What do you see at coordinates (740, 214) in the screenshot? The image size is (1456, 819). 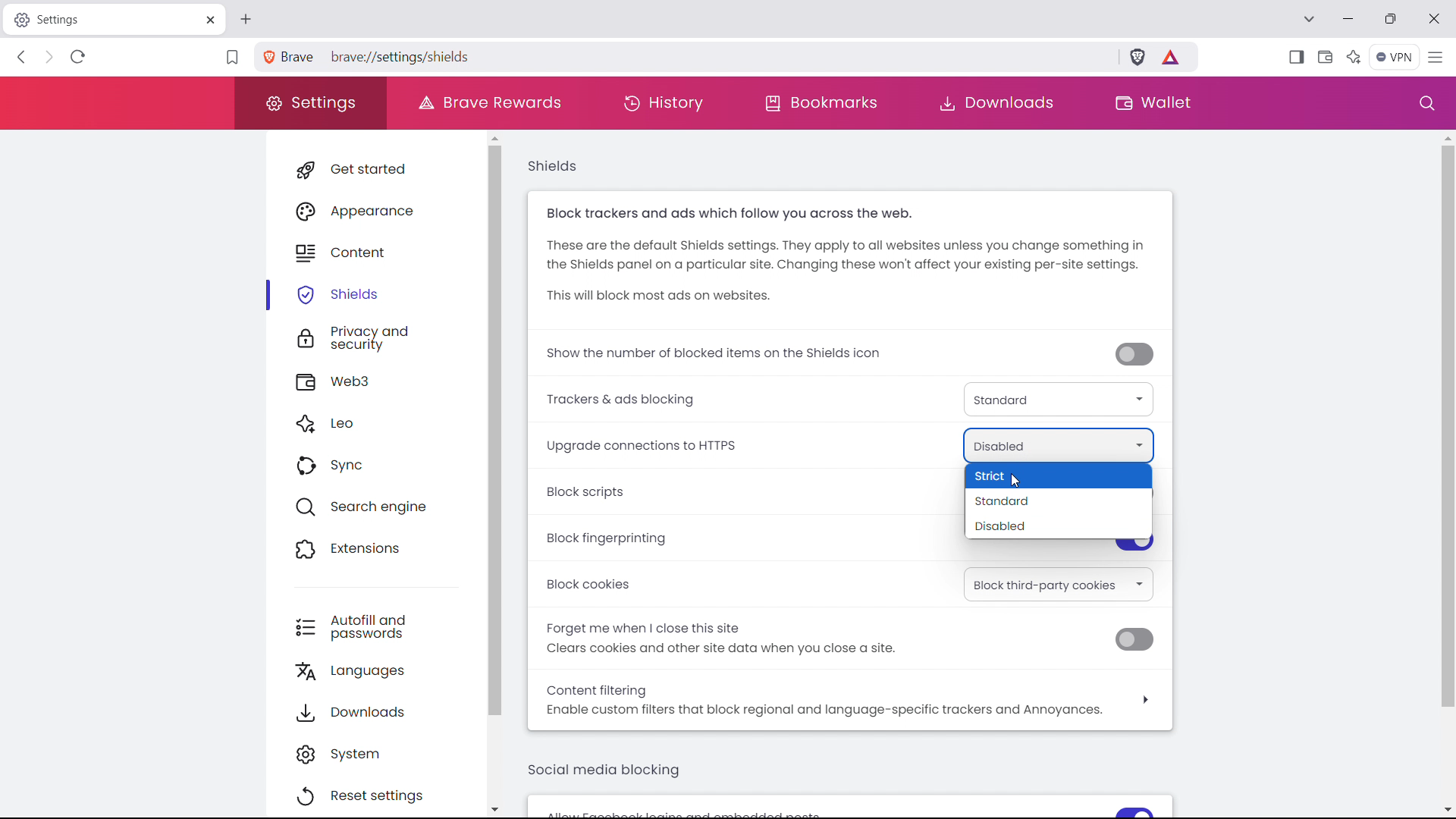 I see `Block trackers and ads which follow you across the web.` at bounding box center [740, 214].